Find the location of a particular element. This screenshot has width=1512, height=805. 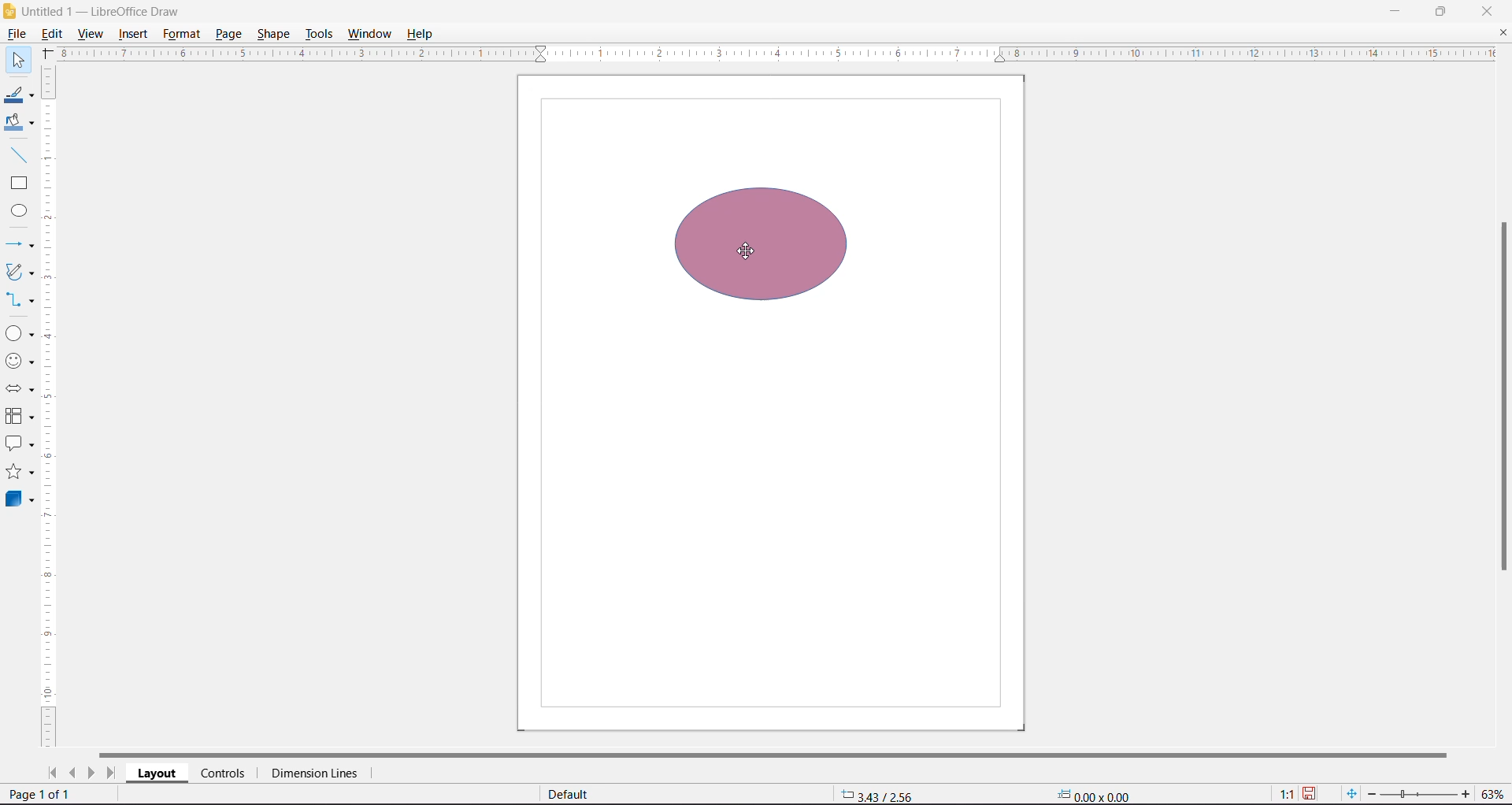

Layout is located at coordinates (157, 773).